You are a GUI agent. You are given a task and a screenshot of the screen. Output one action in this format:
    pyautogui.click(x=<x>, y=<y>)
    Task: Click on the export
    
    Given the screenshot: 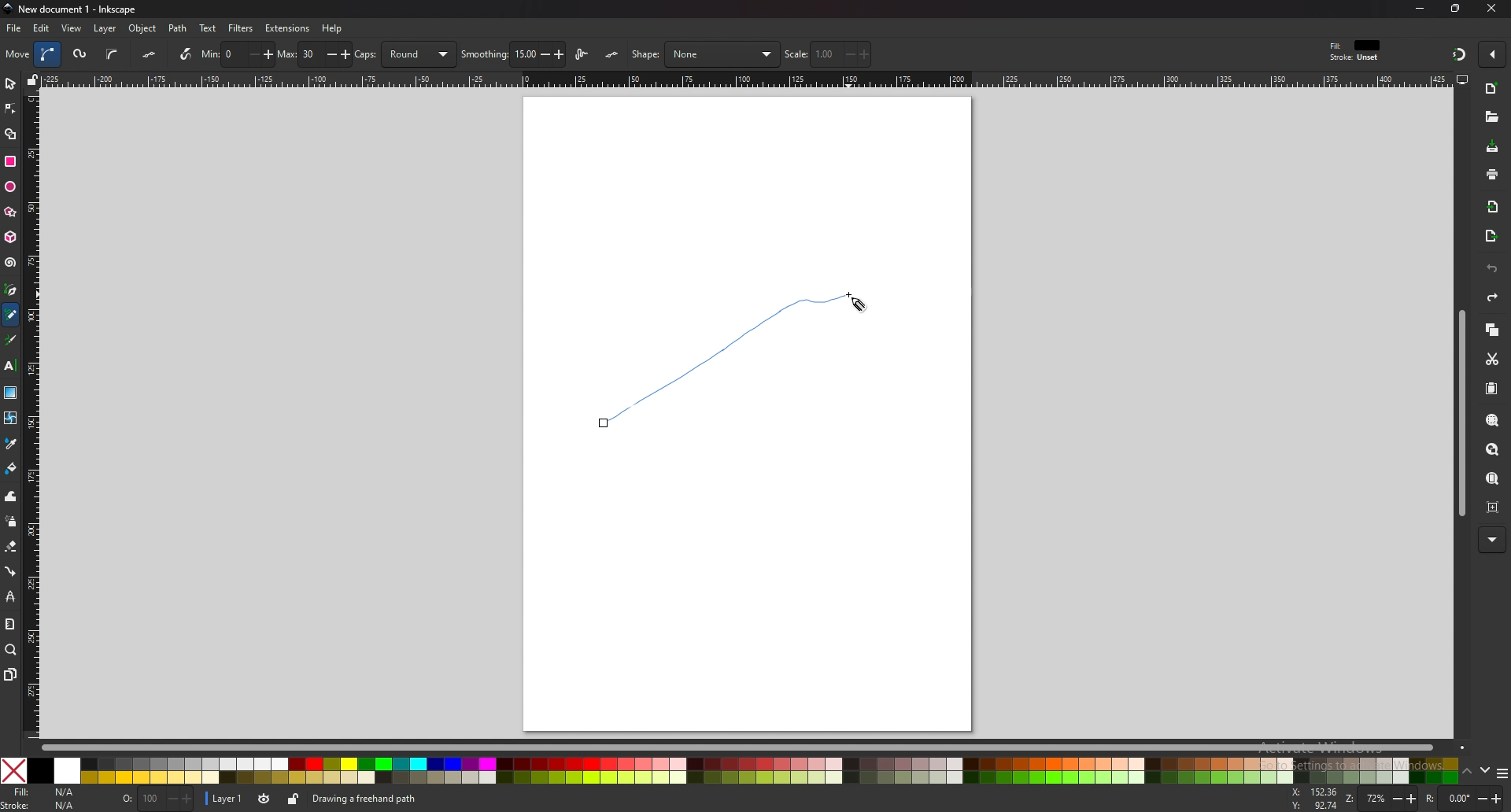 What is the action you would take?
    pyautogui.click(x=1491, y=238)
    